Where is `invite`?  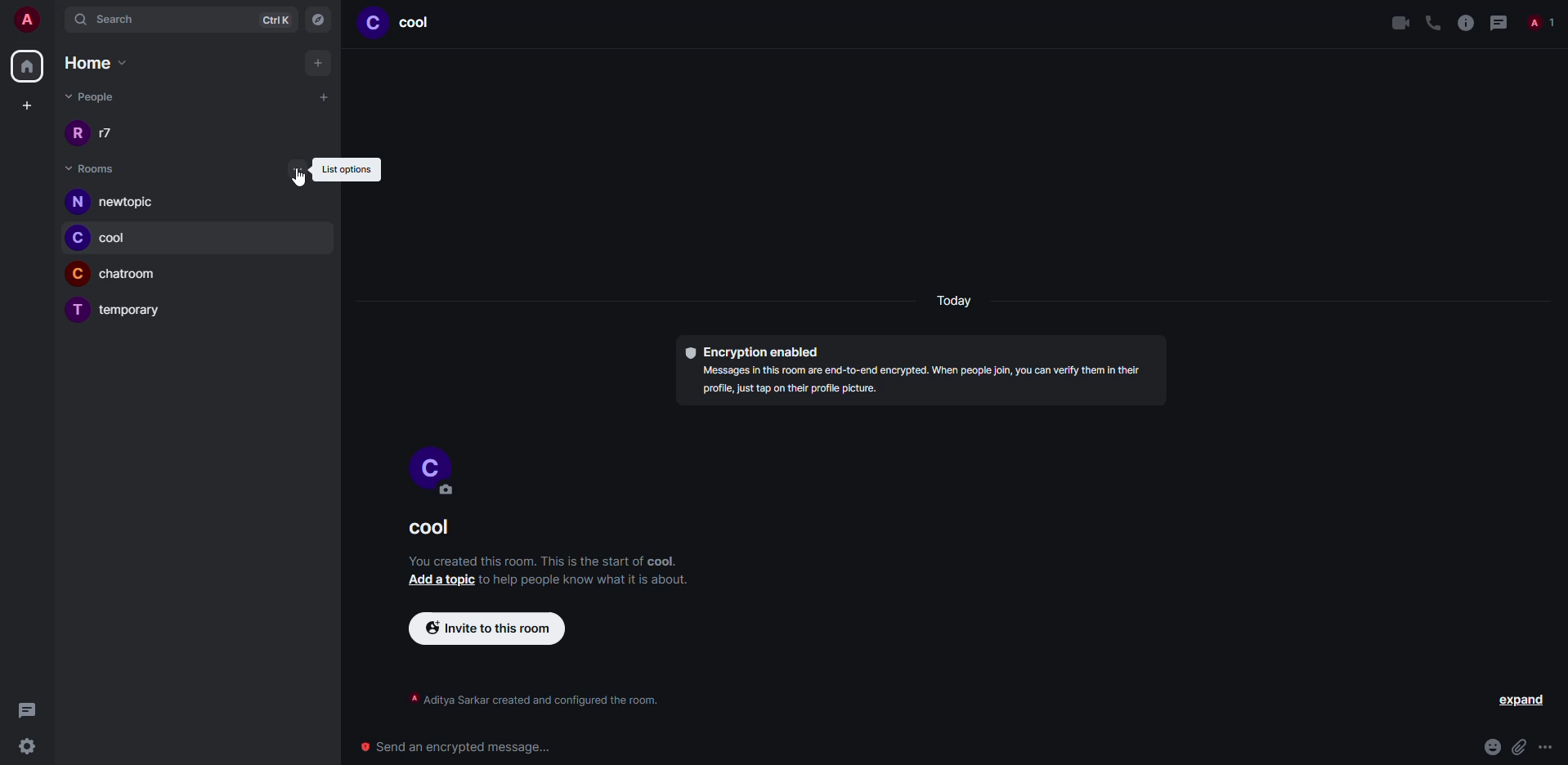 invite is located at coordinates (486, 629).